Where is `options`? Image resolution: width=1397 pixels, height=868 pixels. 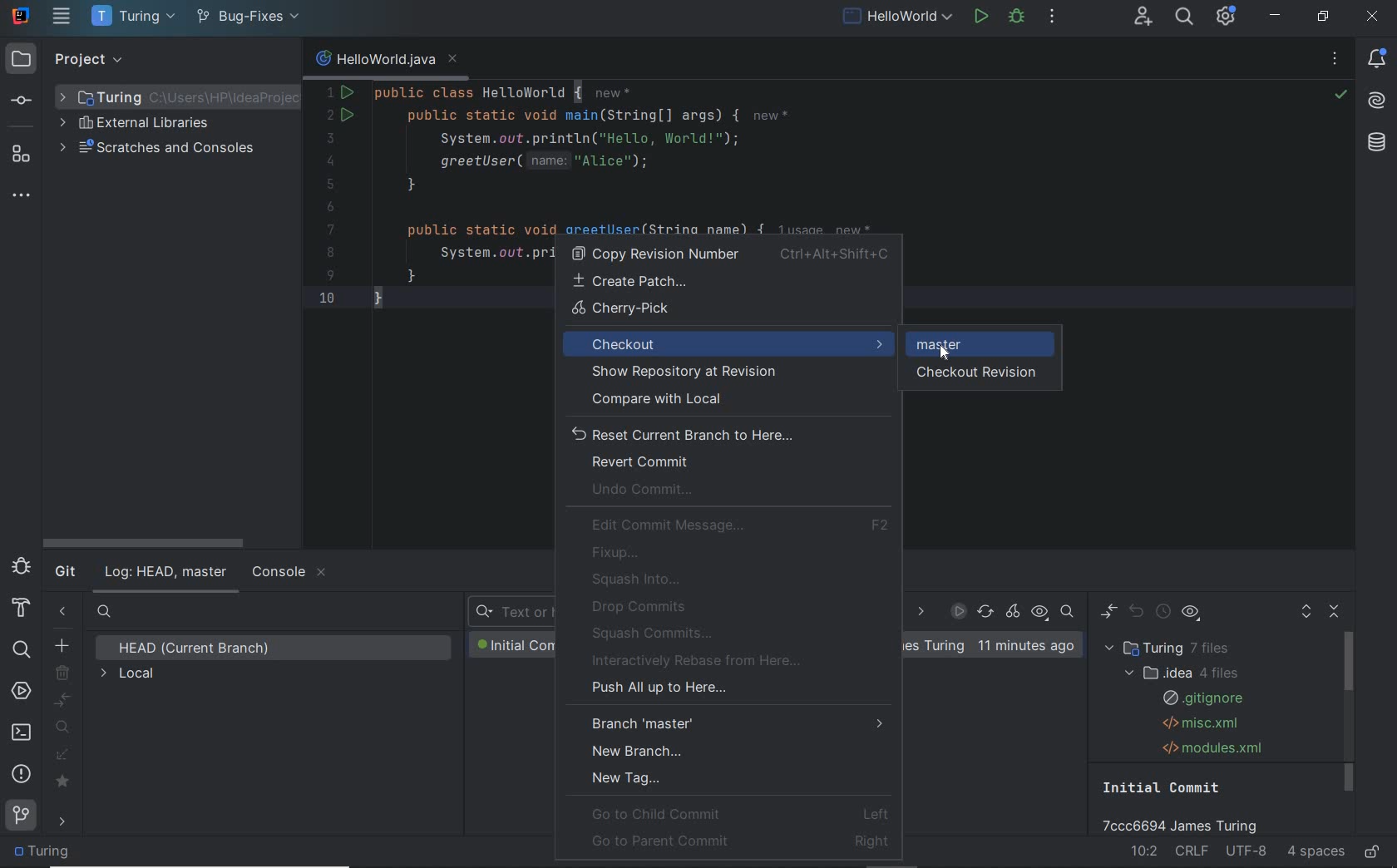 options is located at coordinates (252, 61).